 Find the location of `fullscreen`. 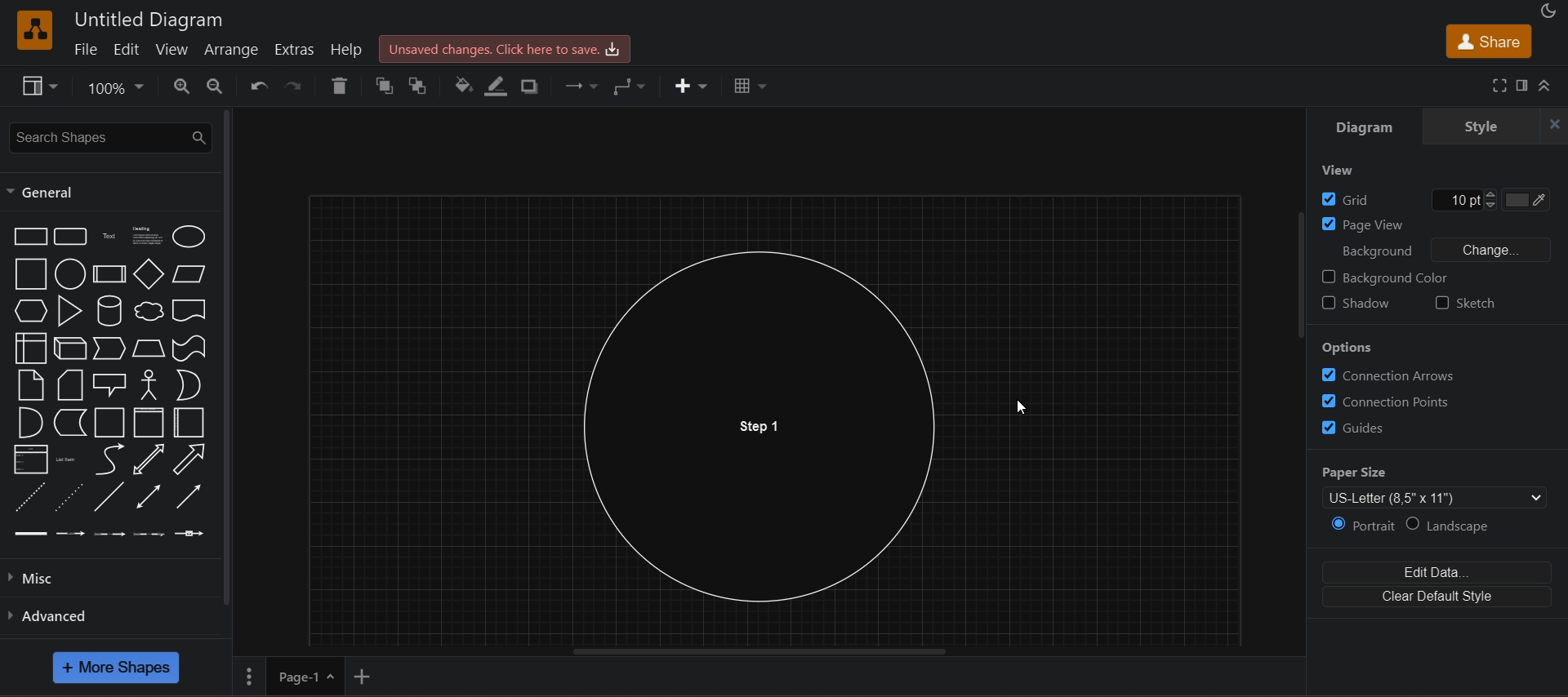

fullscreen is located at coordinates (1499, 86).